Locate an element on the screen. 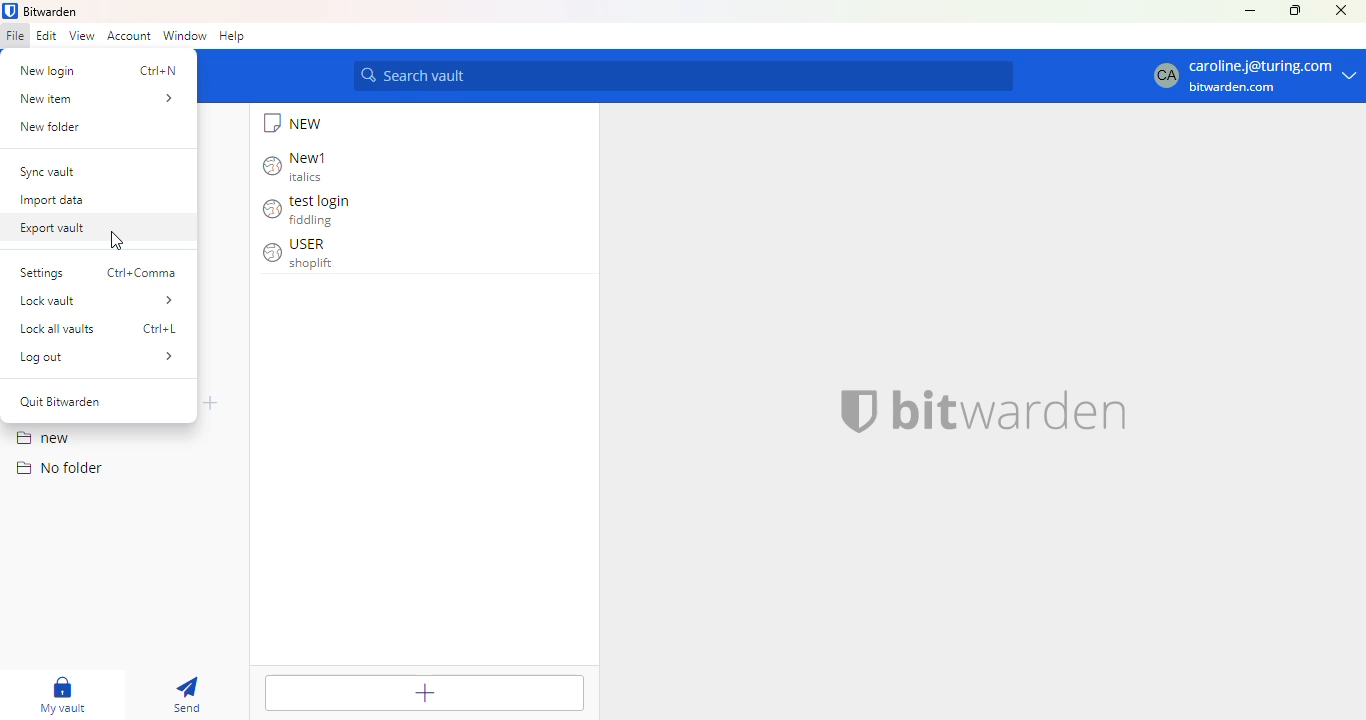  cursor is located at coordinates (117, 241).